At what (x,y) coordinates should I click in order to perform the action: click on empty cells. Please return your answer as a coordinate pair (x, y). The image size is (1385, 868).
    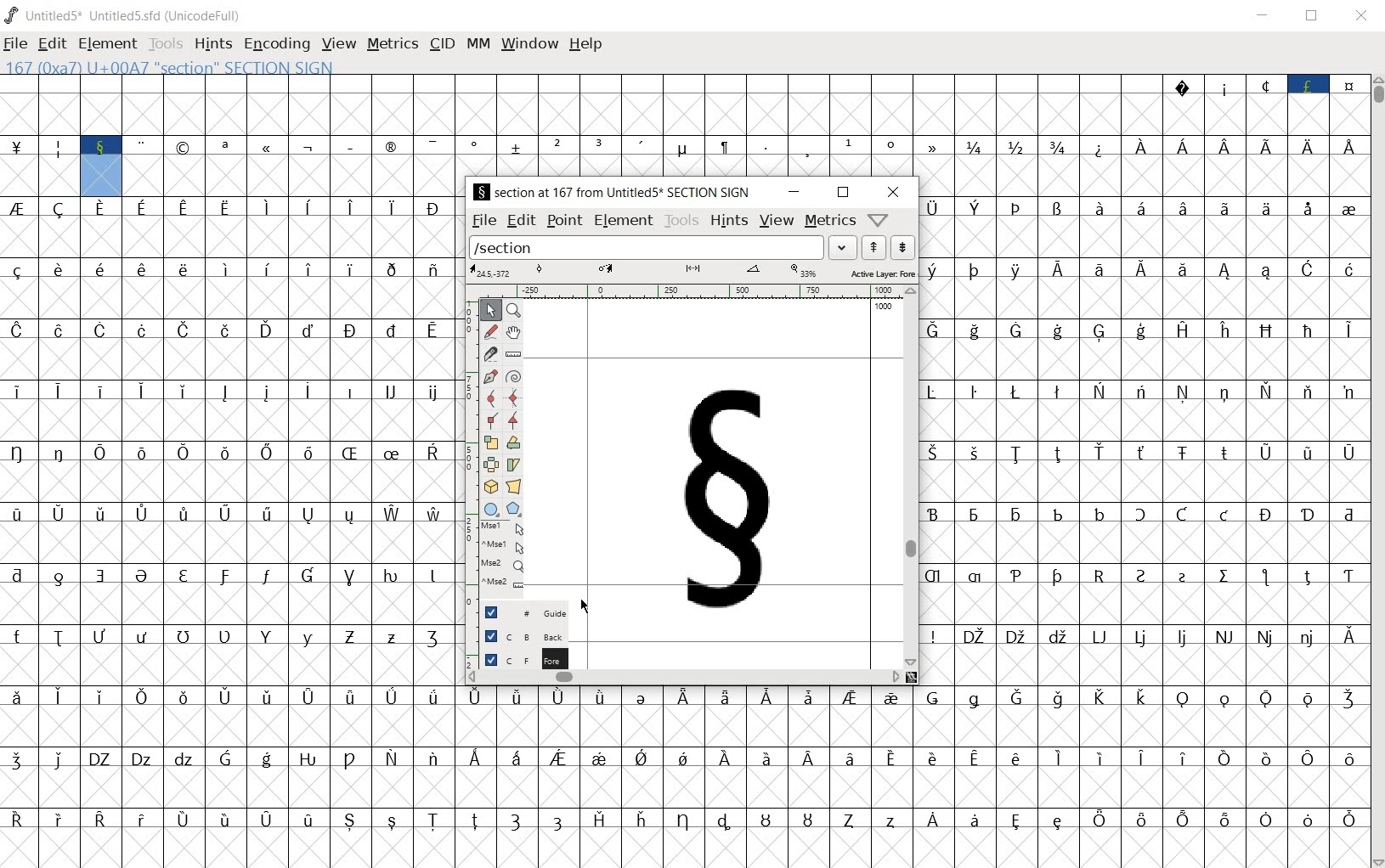
    Looking at the image, I should click on (233, 359).